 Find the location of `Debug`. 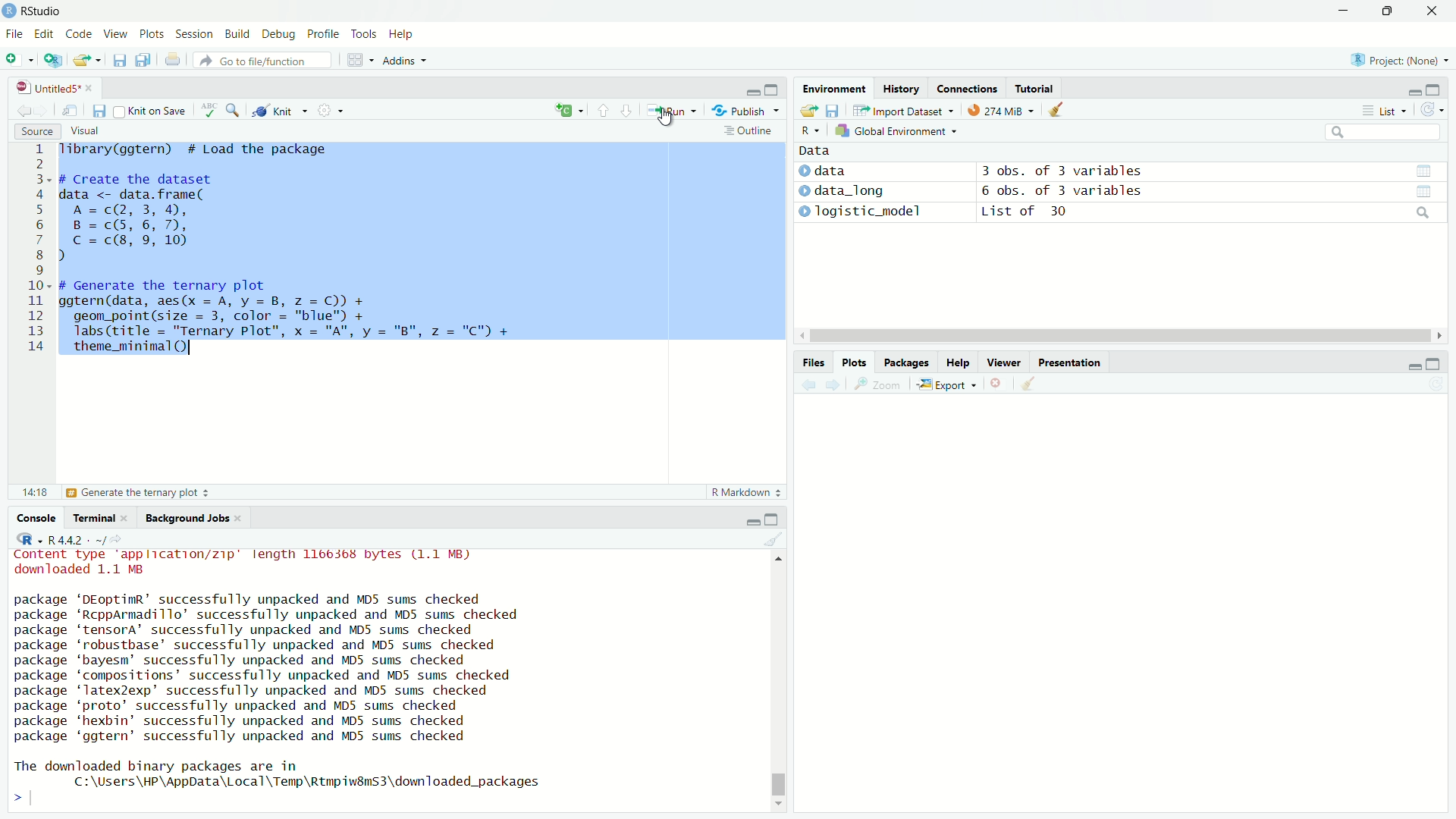

Debug is located at coordinates (275, 35).